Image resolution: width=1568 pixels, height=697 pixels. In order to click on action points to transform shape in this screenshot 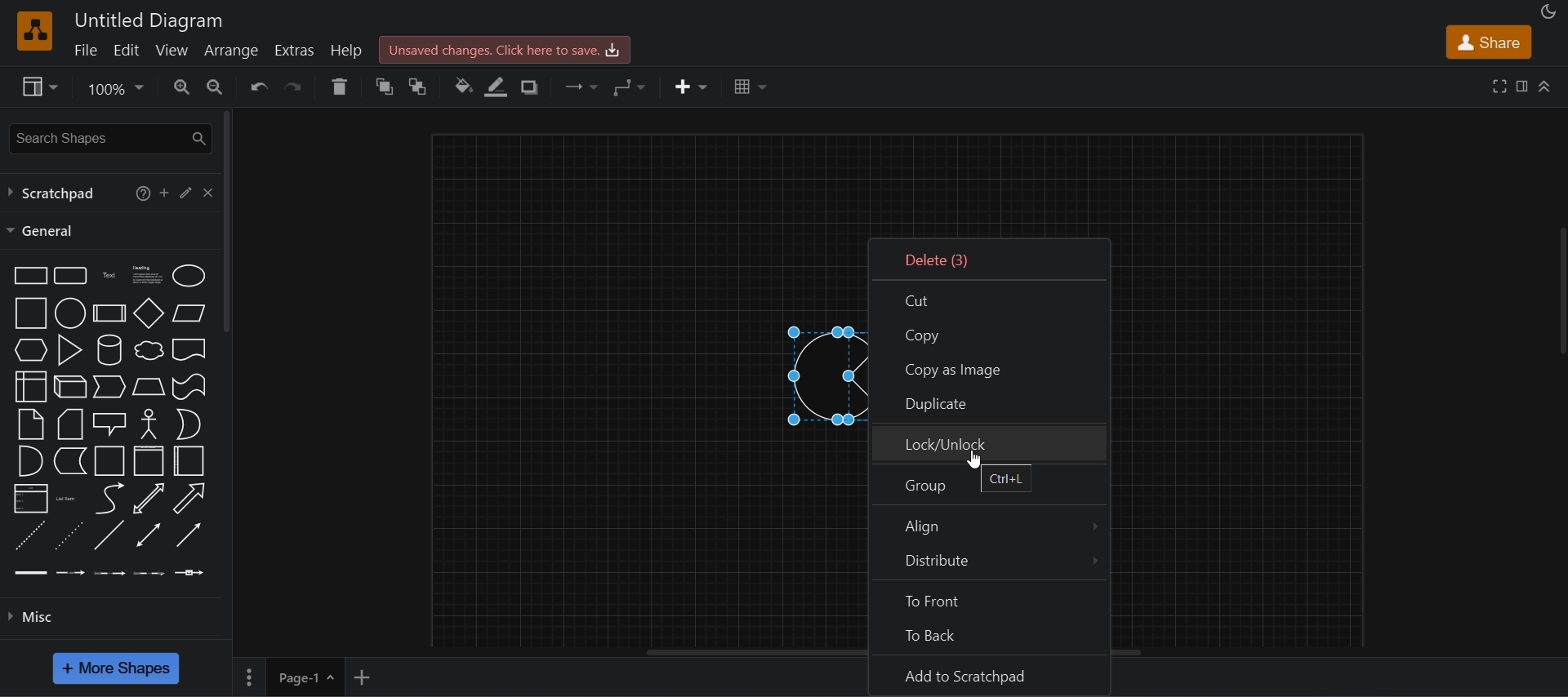, I will do `click(845, 375)`.